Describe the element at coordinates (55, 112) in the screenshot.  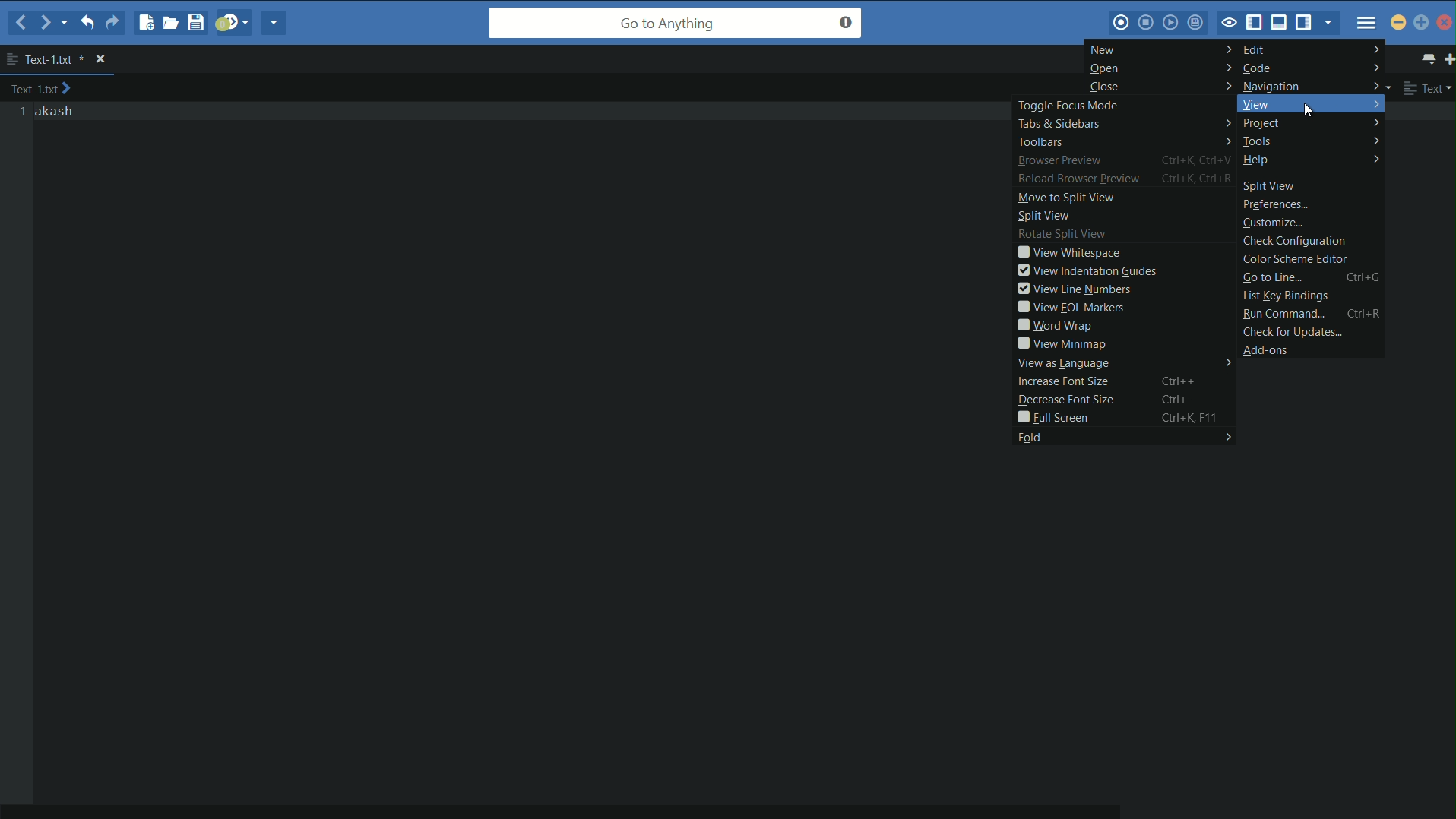
I see `Akash` at that location.